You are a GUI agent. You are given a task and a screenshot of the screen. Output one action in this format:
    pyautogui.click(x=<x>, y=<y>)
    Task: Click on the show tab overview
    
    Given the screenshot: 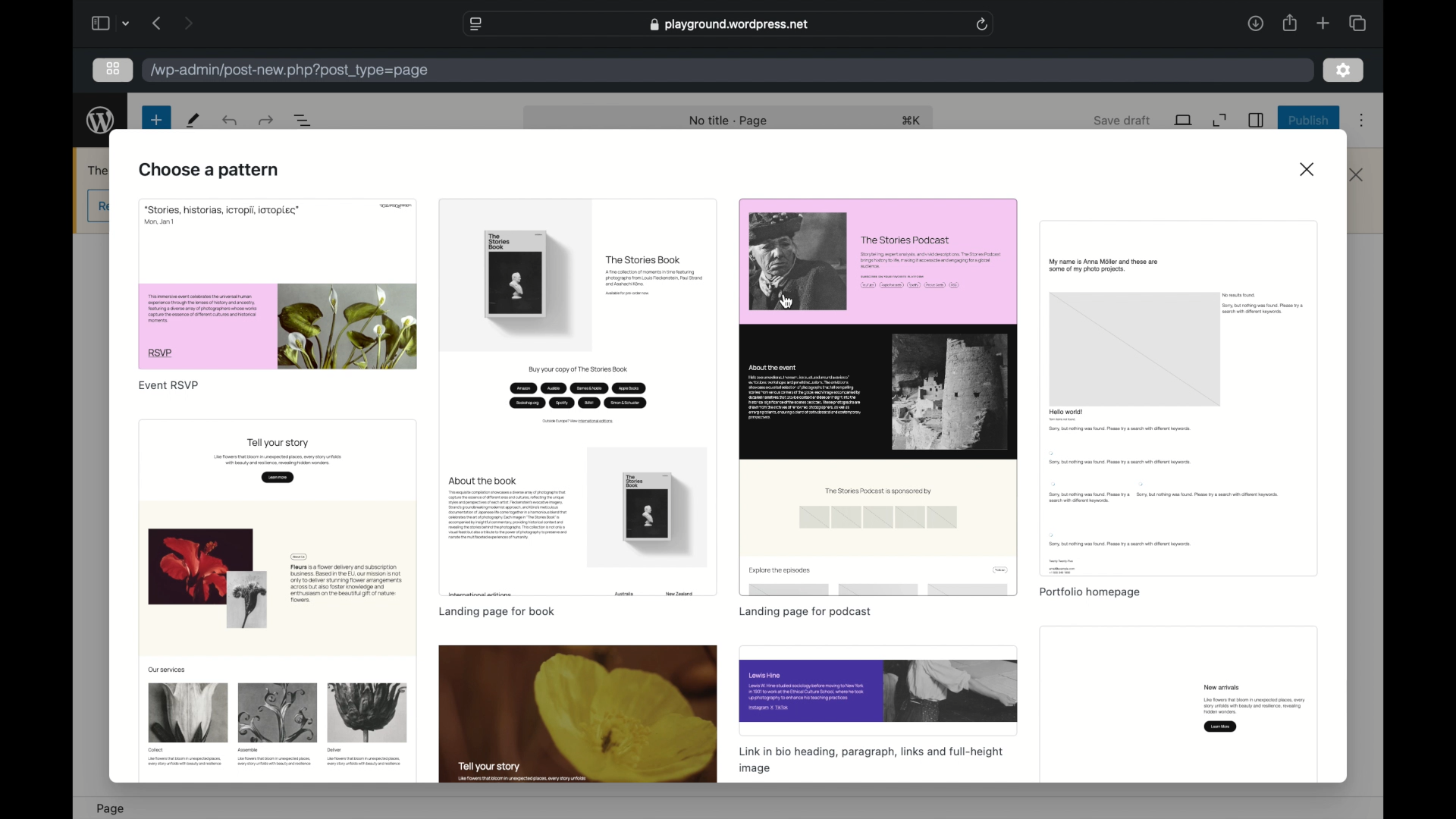 What is the action you would take?
    pyautogui.click(x=1357, y=22)
    